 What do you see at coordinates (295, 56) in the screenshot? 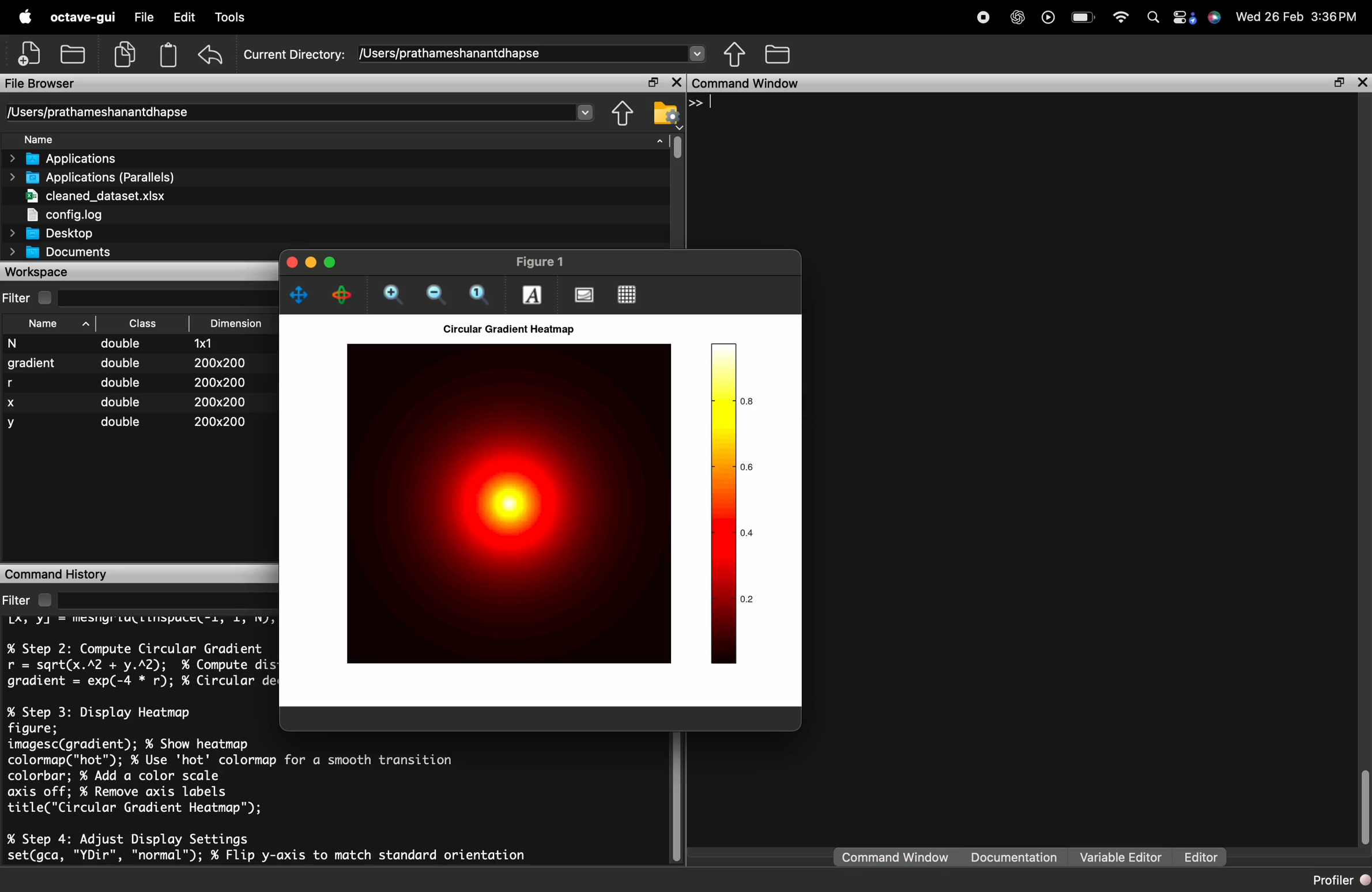
I see `Current Directory:` at bounding box center [295, 56].